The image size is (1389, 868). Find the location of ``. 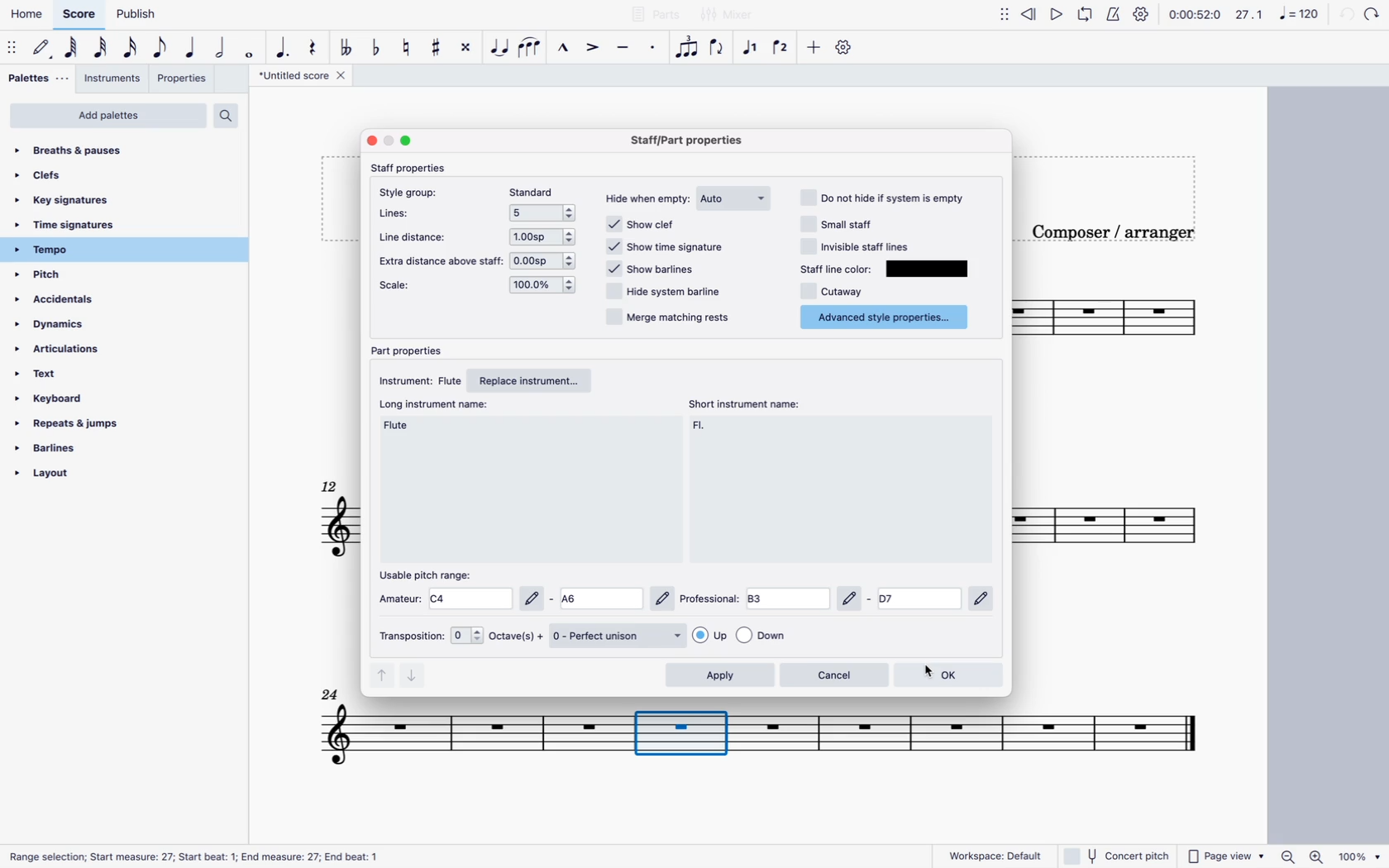

 is located at coordinates (854, 598).